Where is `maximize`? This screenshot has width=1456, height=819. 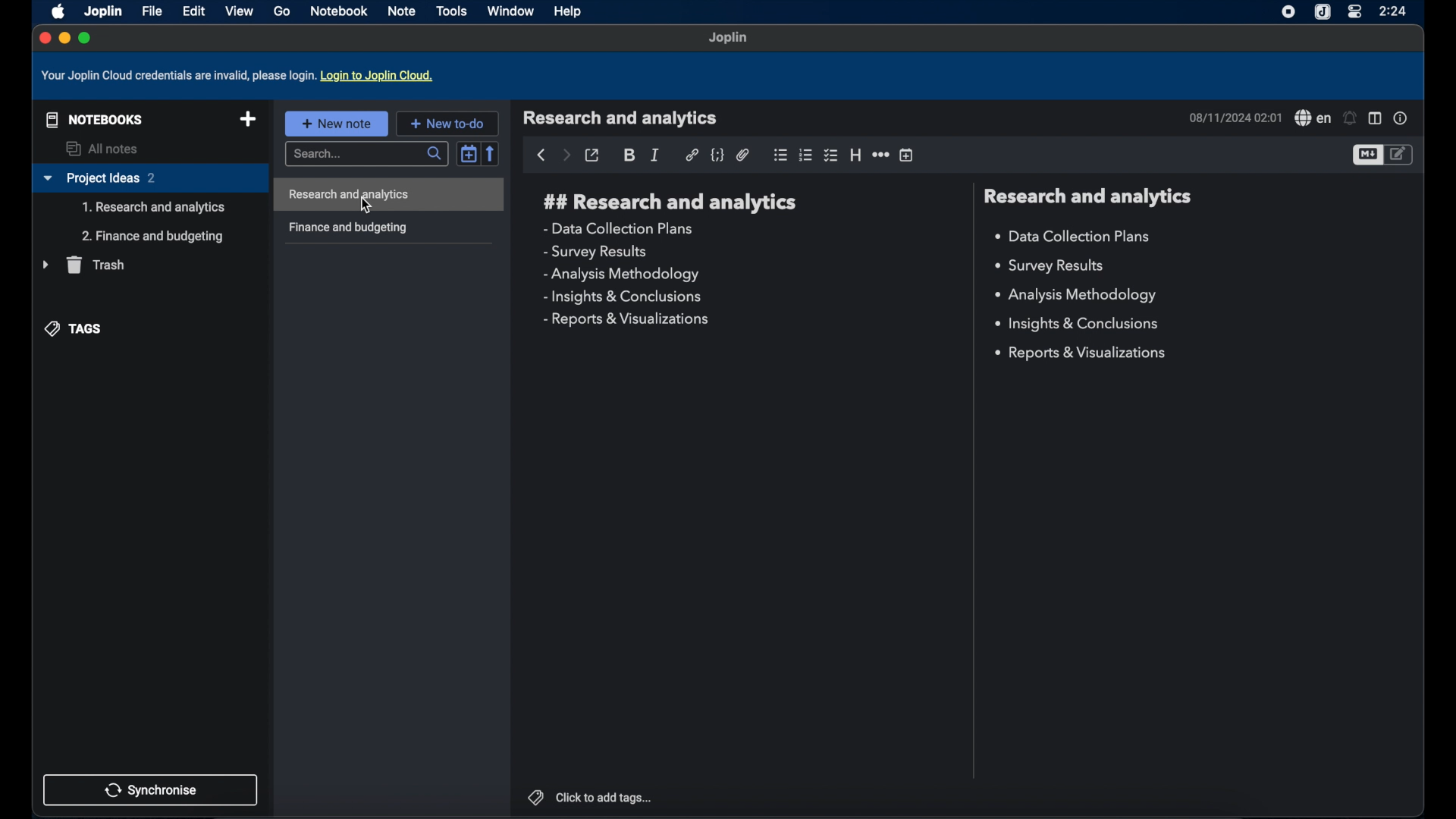
maximize is located at coordinates (86, 38).